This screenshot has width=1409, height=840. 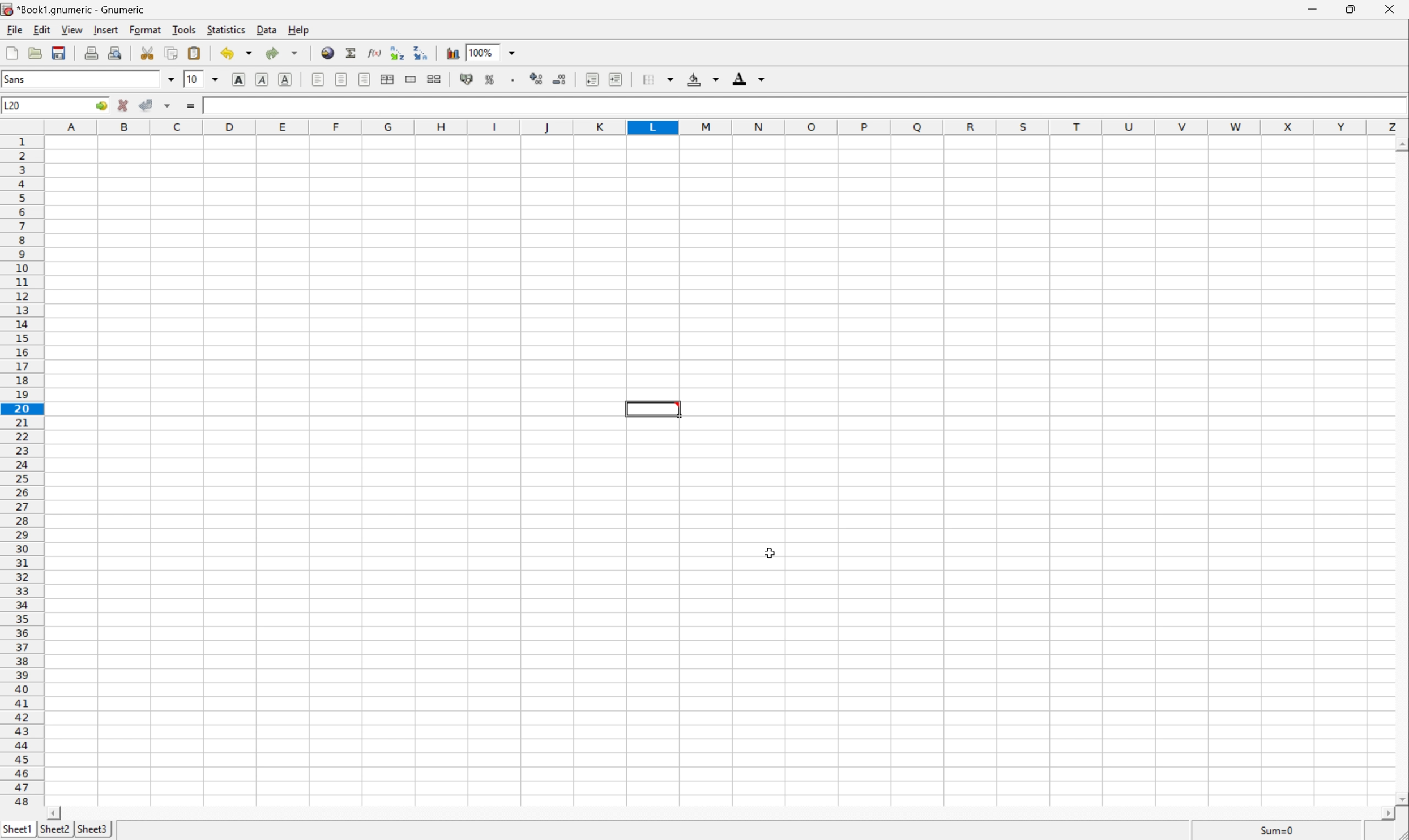 I want to click on Format the selection of accounting, so click(x=468, y=79).